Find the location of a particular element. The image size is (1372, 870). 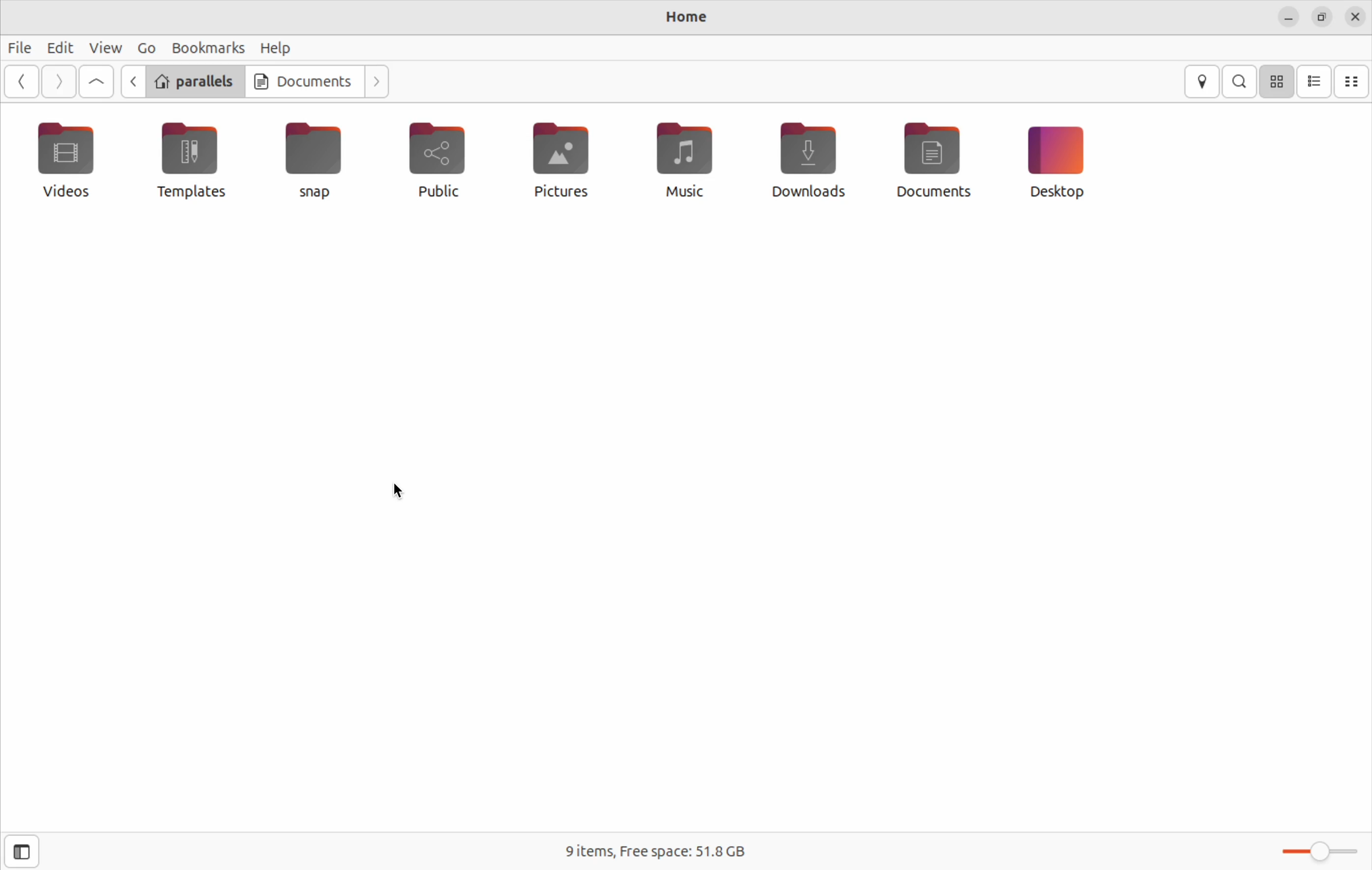

Home is located at coordinates (677, 19).